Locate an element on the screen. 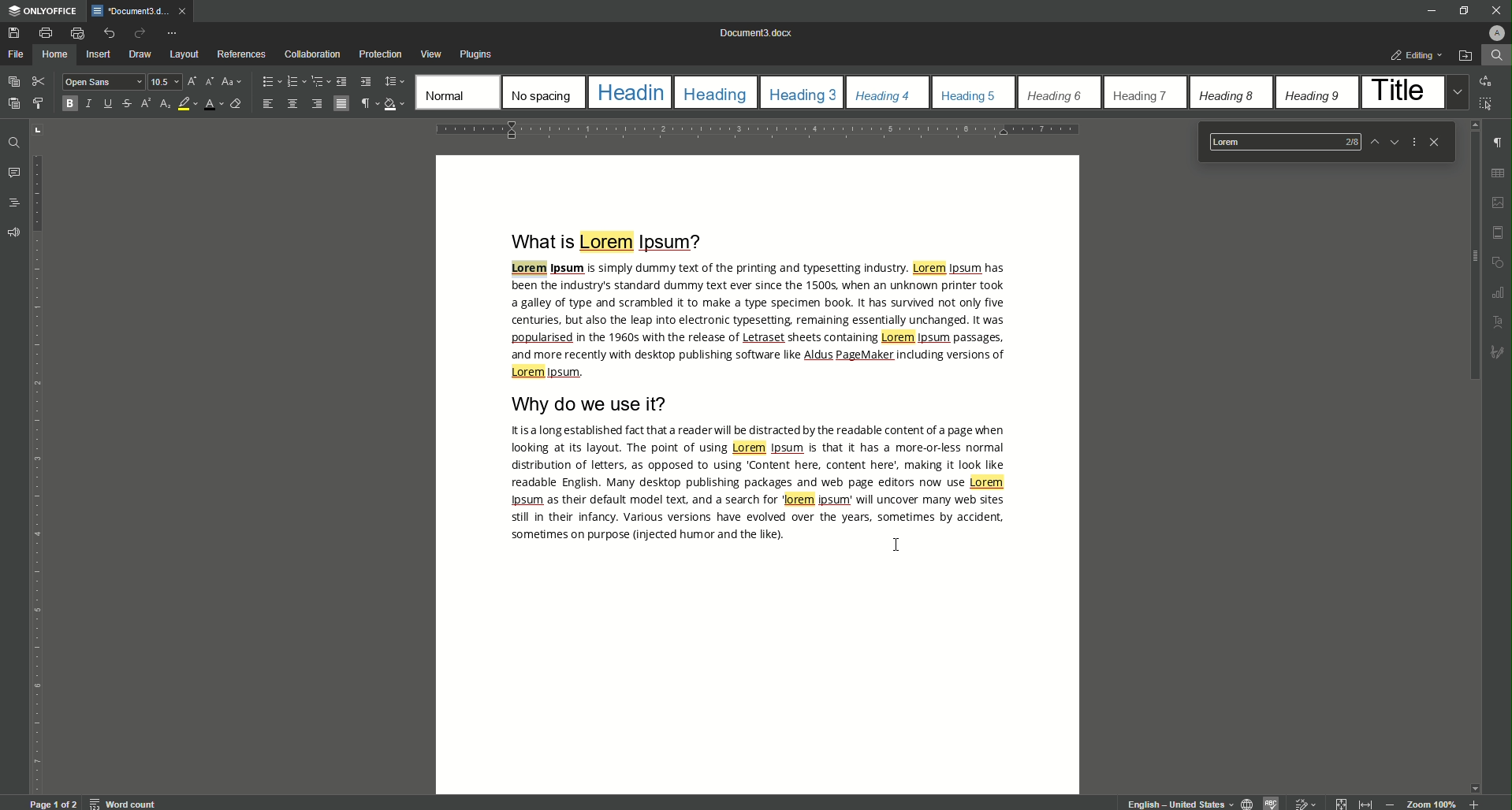 The height and width of the screenshot is (810, 1512). Collapse is located at coordinates (1339, 803).